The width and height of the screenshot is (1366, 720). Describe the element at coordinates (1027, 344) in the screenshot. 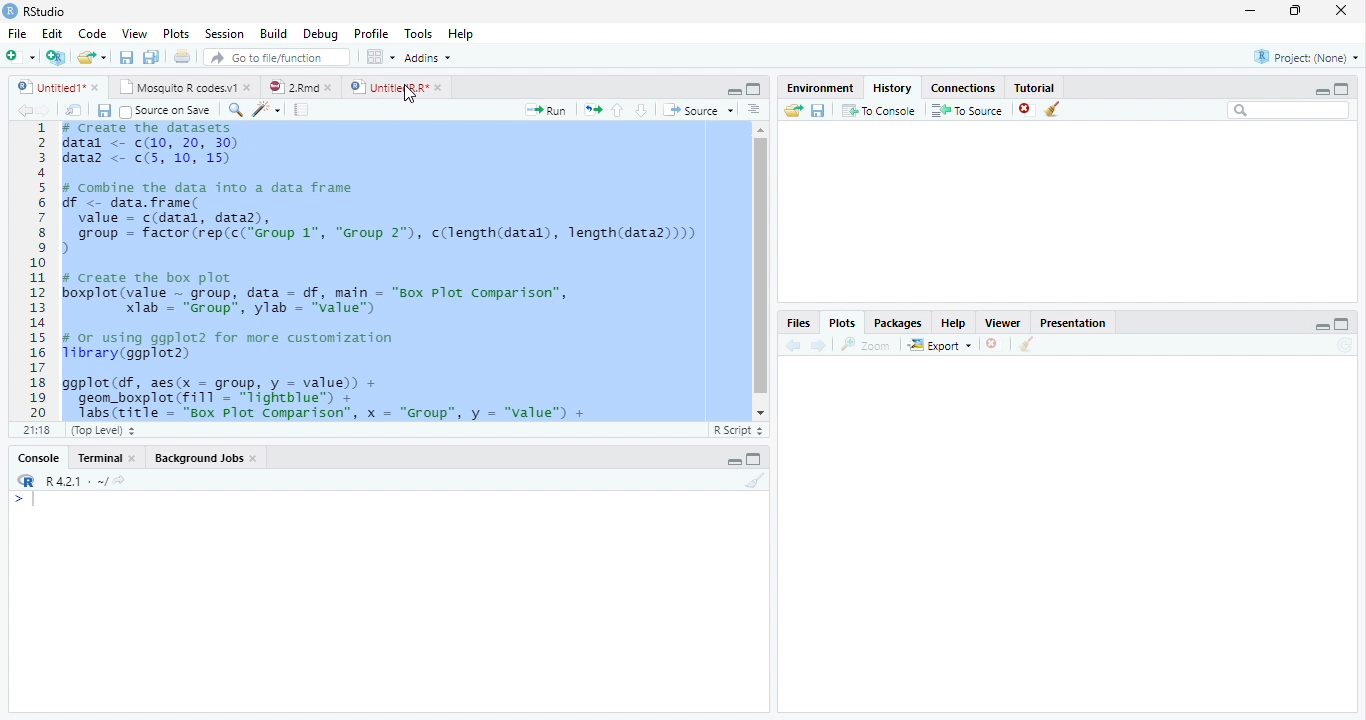

I see `Clear all plots` at that location.